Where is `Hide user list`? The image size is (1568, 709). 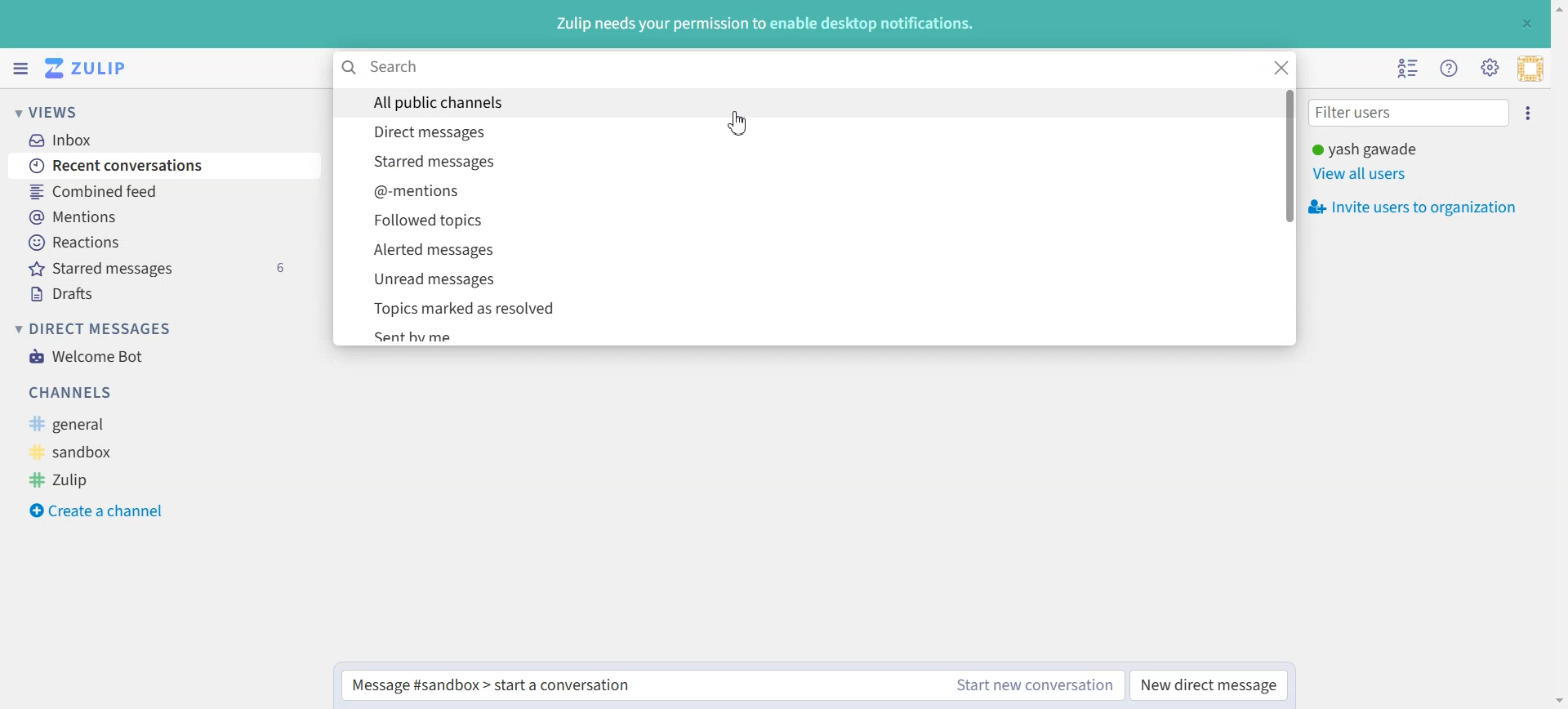 Hide user list is located at coordinates (1410, 69).